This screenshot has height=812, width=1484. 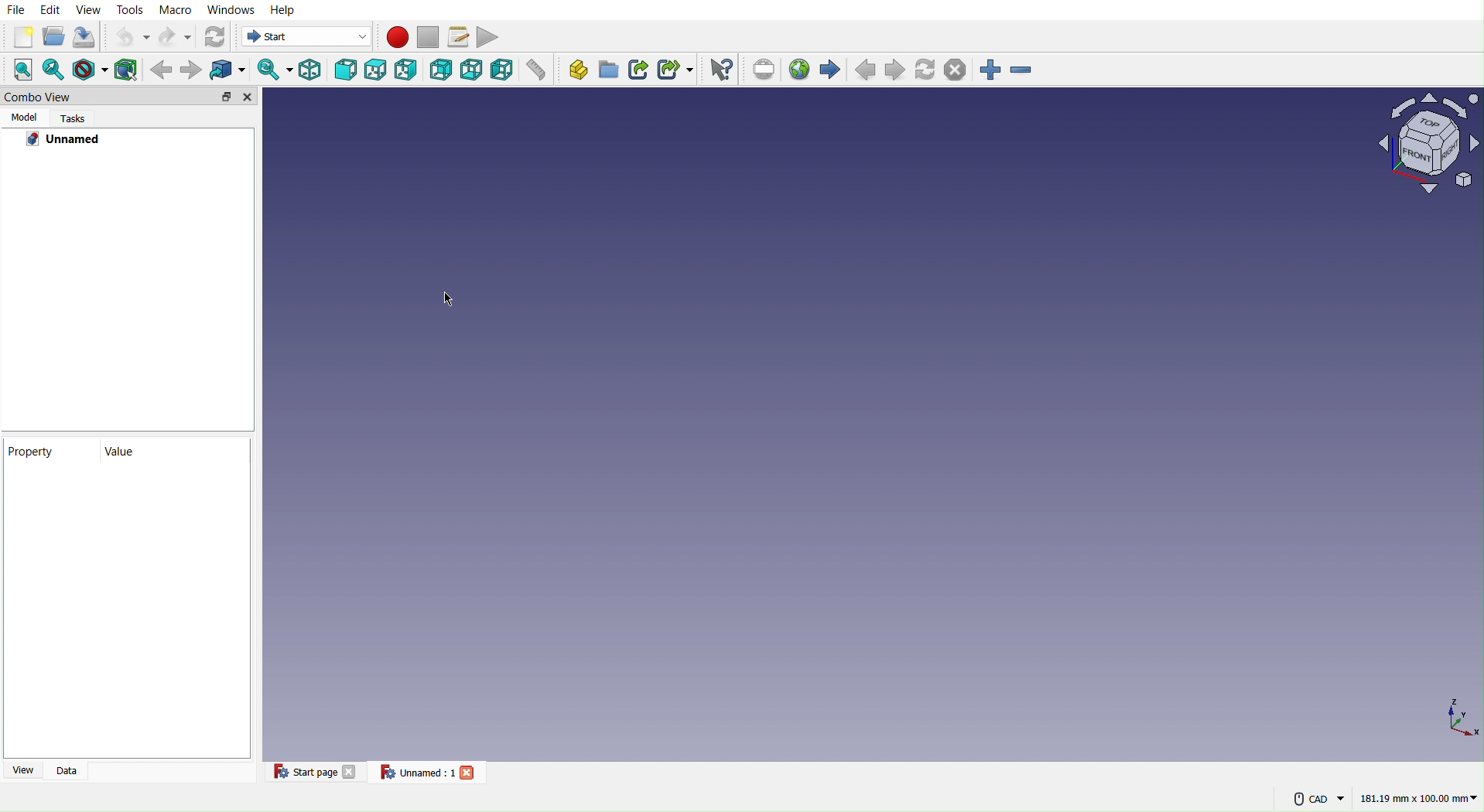 What do you see at coordinates (538, 71) in the screenshot?
I see `Activate the distance tool` at bounding box center [538, 71].